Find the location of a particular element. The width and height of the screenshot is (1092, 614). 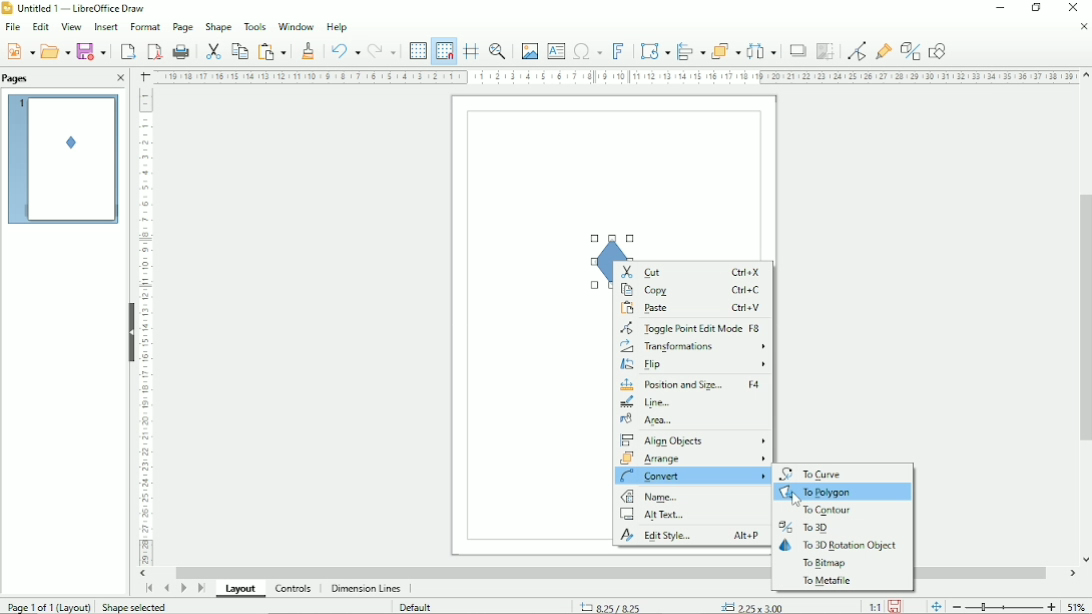

Align objects is located at coordinates (689, 50).